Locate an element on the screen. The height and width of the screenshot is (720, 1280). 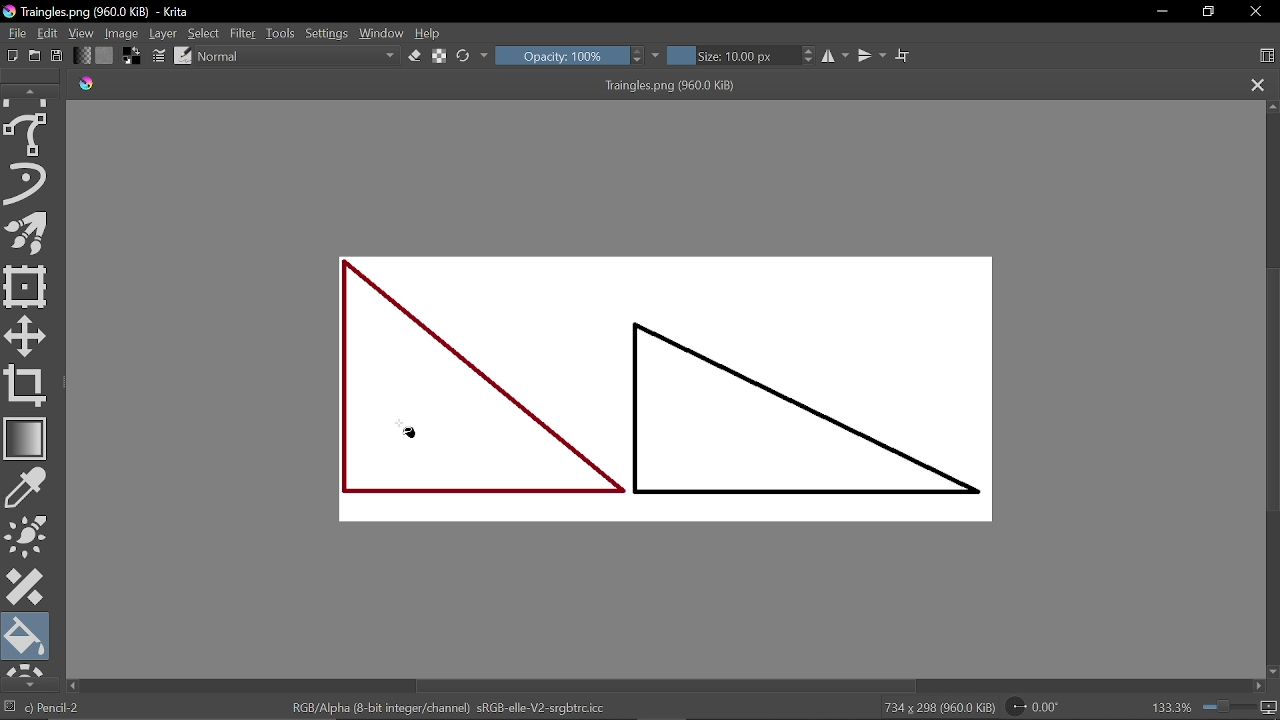
Wrap around text mode is located at coordinates (905, 57).